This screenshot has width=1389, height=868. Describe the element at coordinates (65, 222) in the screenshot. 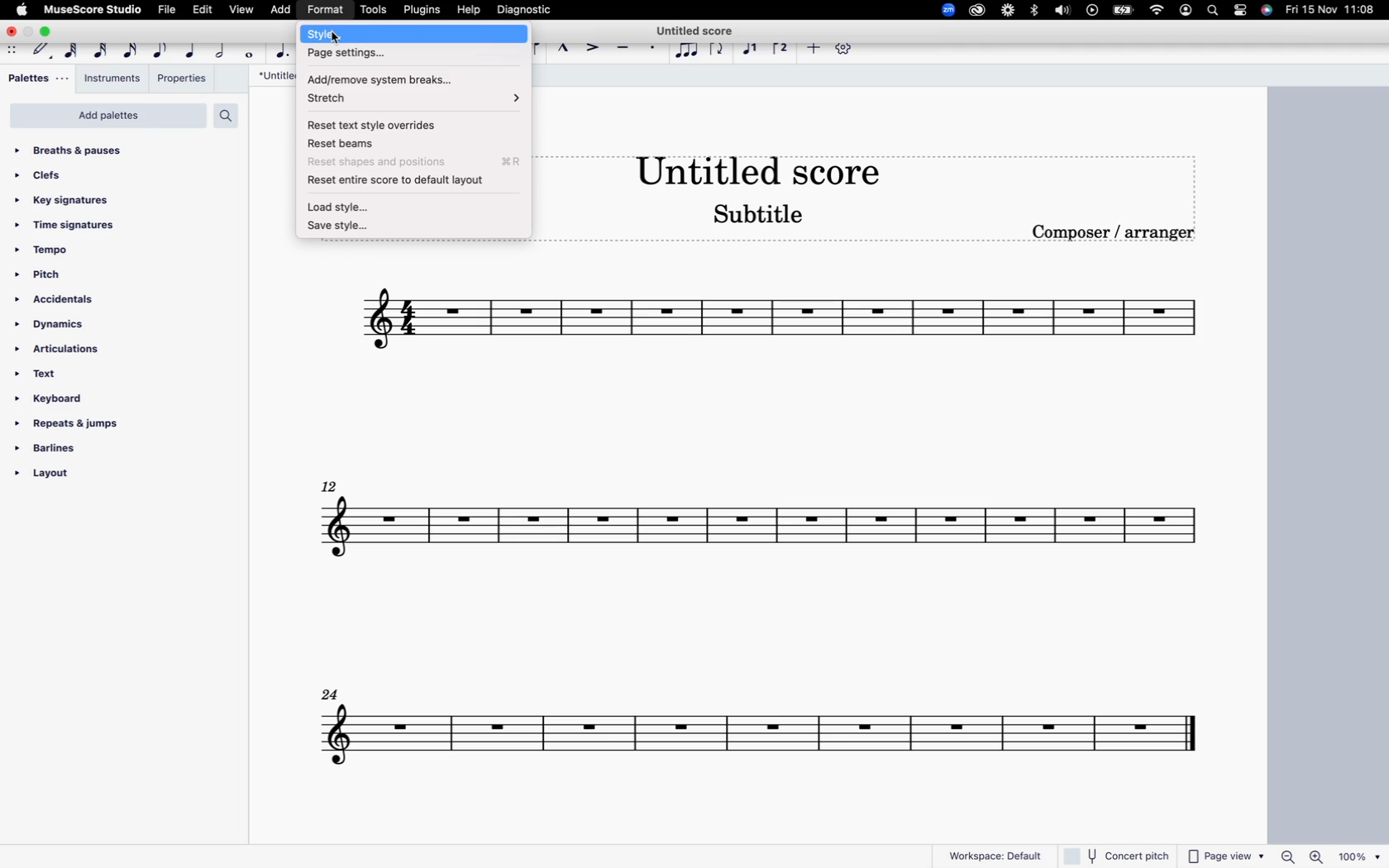

I see `time signatures` at that location.